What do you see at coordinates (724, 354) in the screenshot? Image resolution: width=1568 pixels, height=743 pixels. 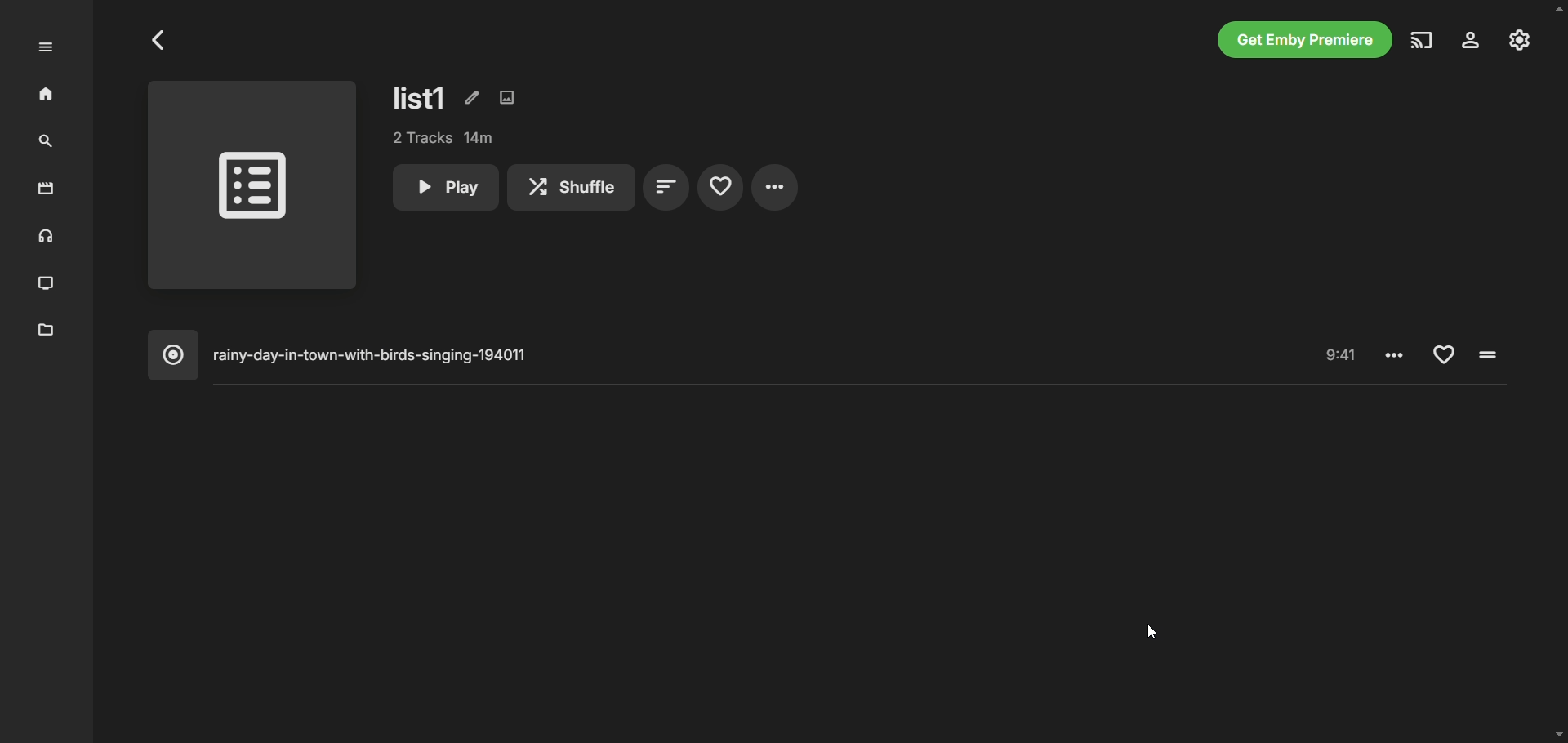 I see `music album` at bounding box center [724, 354].